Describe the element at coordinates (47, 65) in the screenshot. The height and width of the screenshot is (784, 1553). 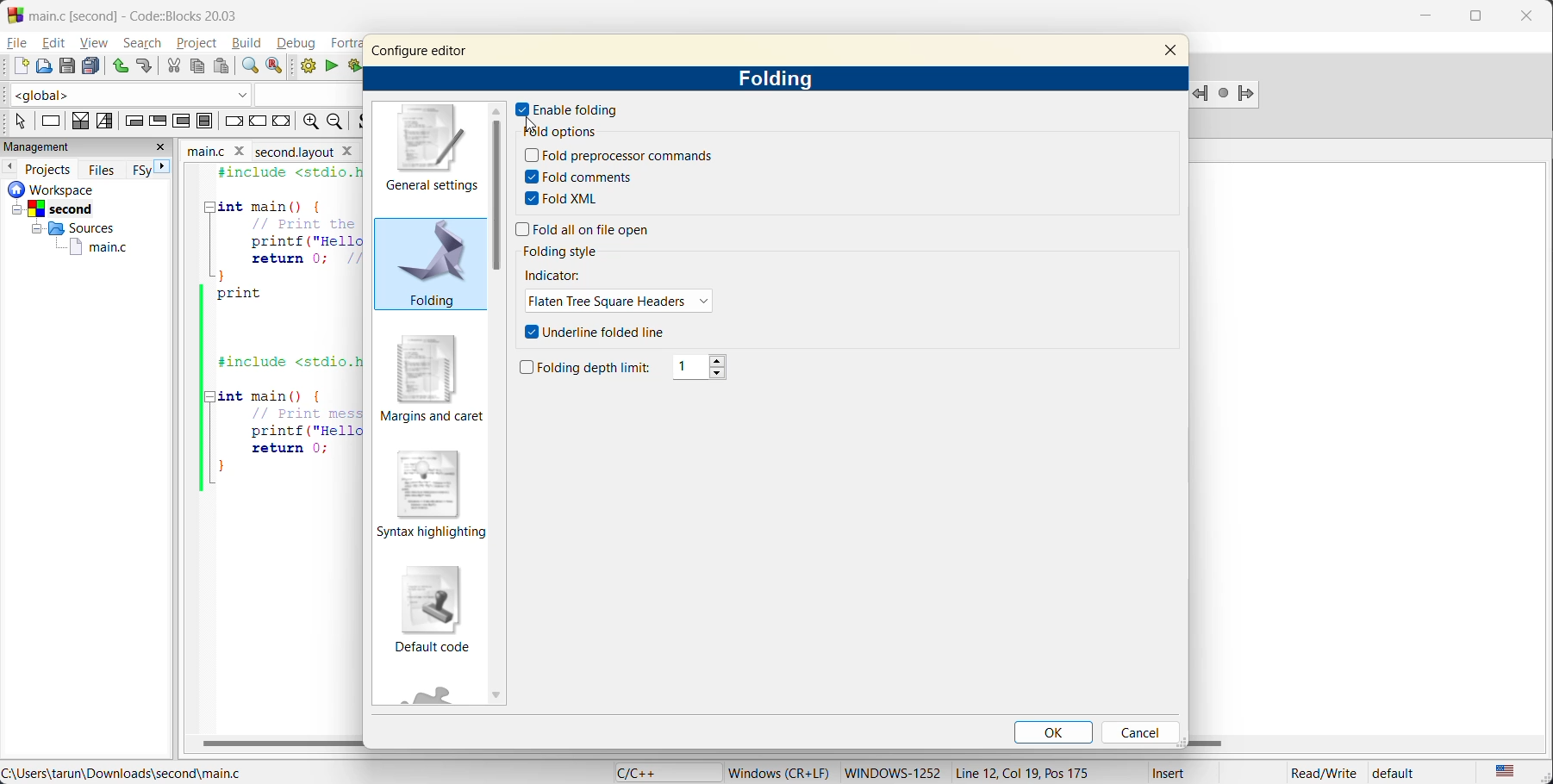
I see `open` at that location.